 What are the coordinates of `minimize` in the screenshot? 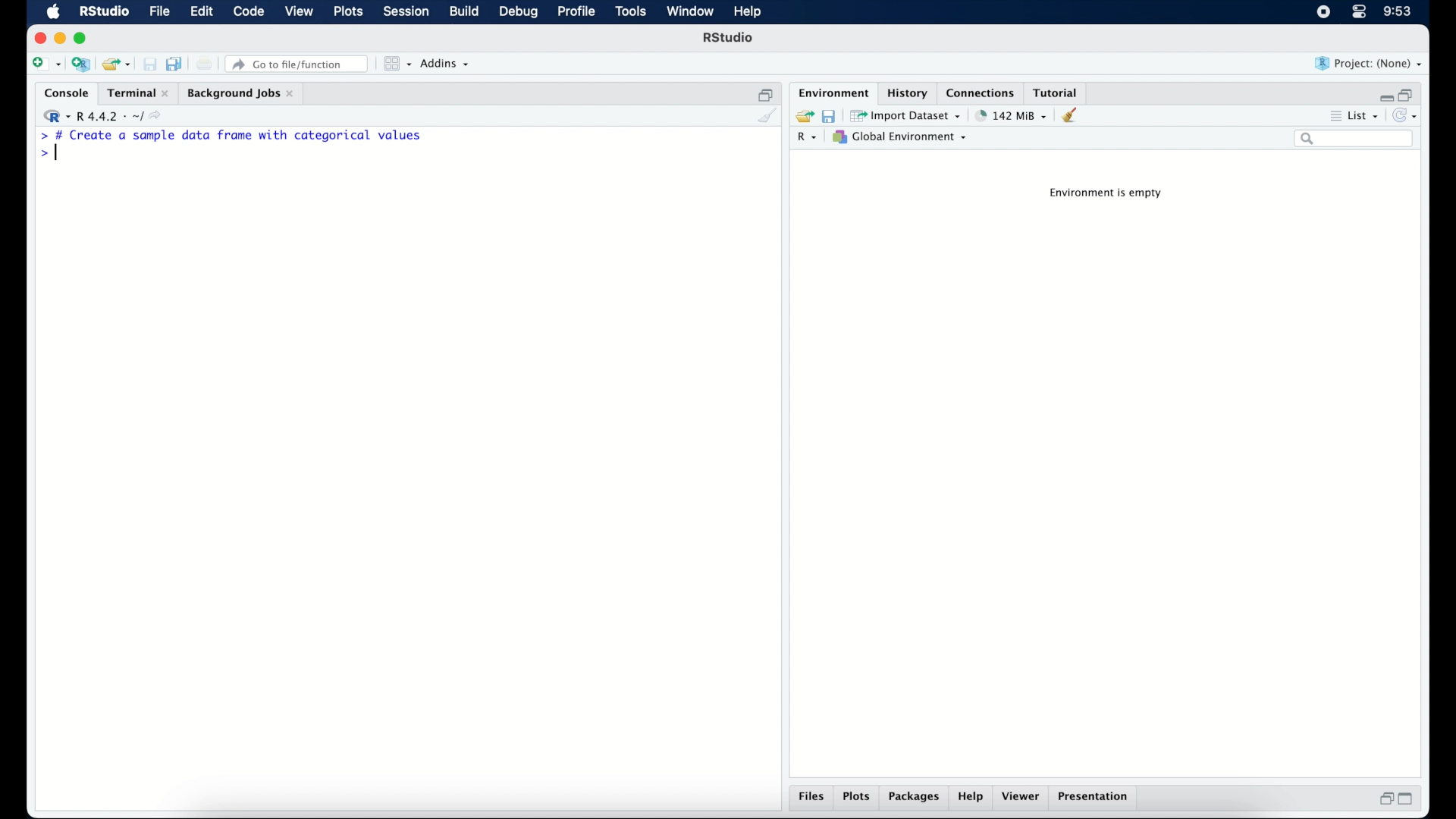 It's located at (1383, 95).